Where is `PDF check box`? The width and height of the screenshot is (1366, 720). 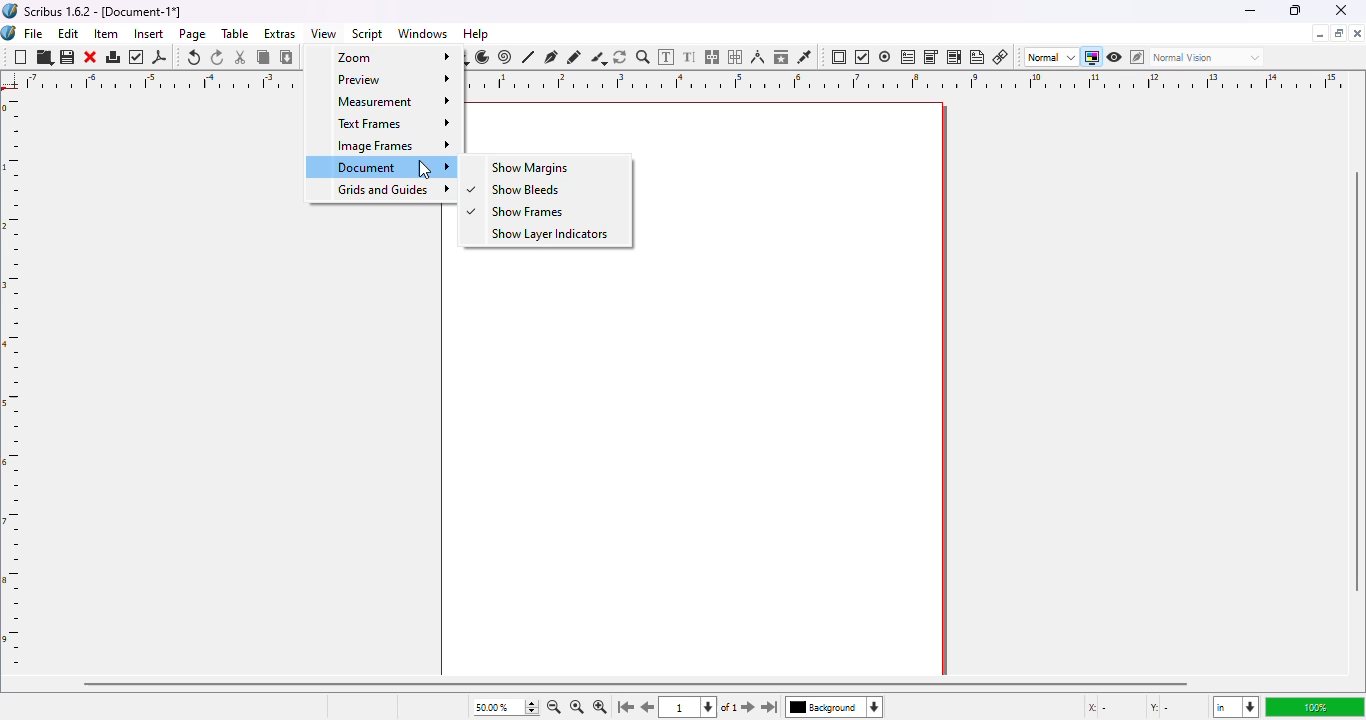 PDF check box is located at coordinates (862, 58).